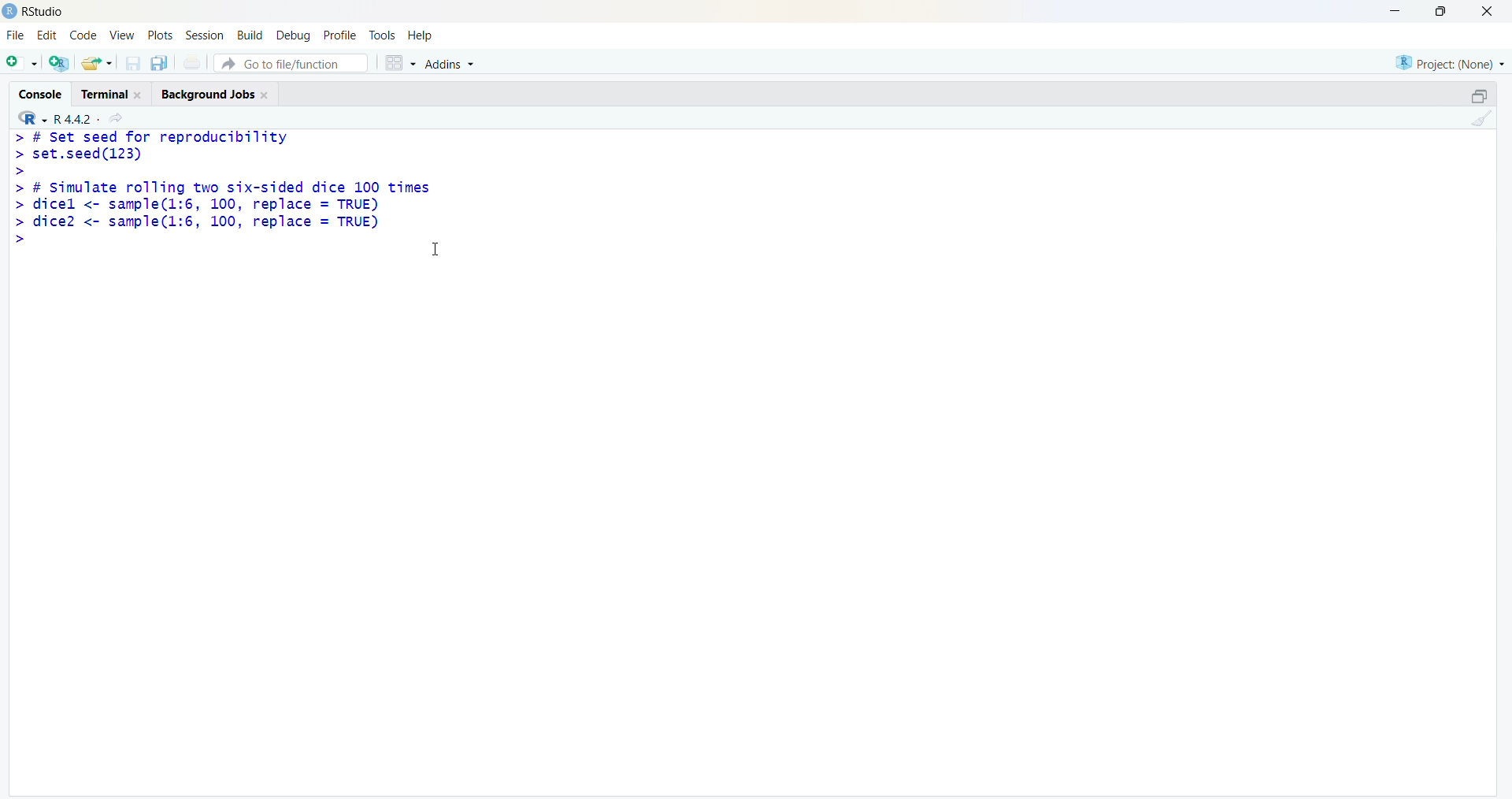 This screenshot has height=799, width=1512. I want to click on plots, so click(161, 34).